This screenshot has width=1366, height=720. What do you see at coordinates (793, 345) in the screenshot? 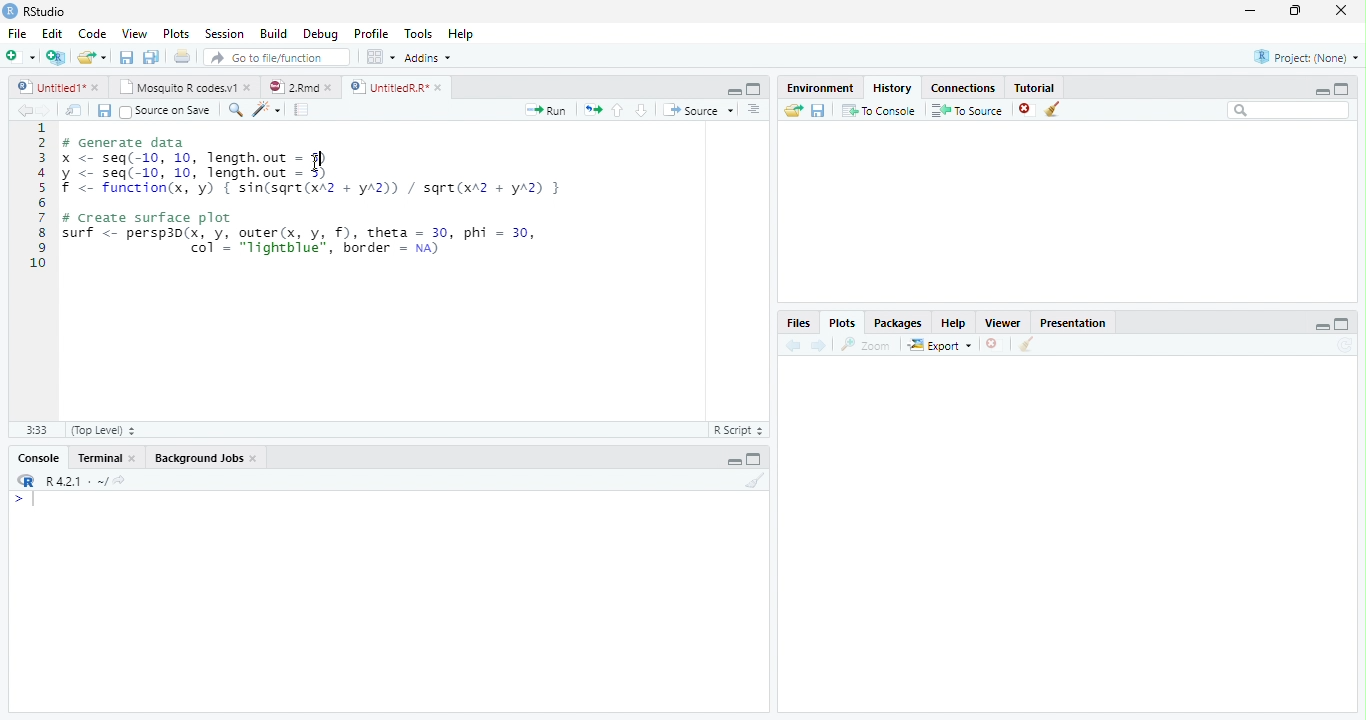
I see `Previous plot` at bounding box center [793, 345].